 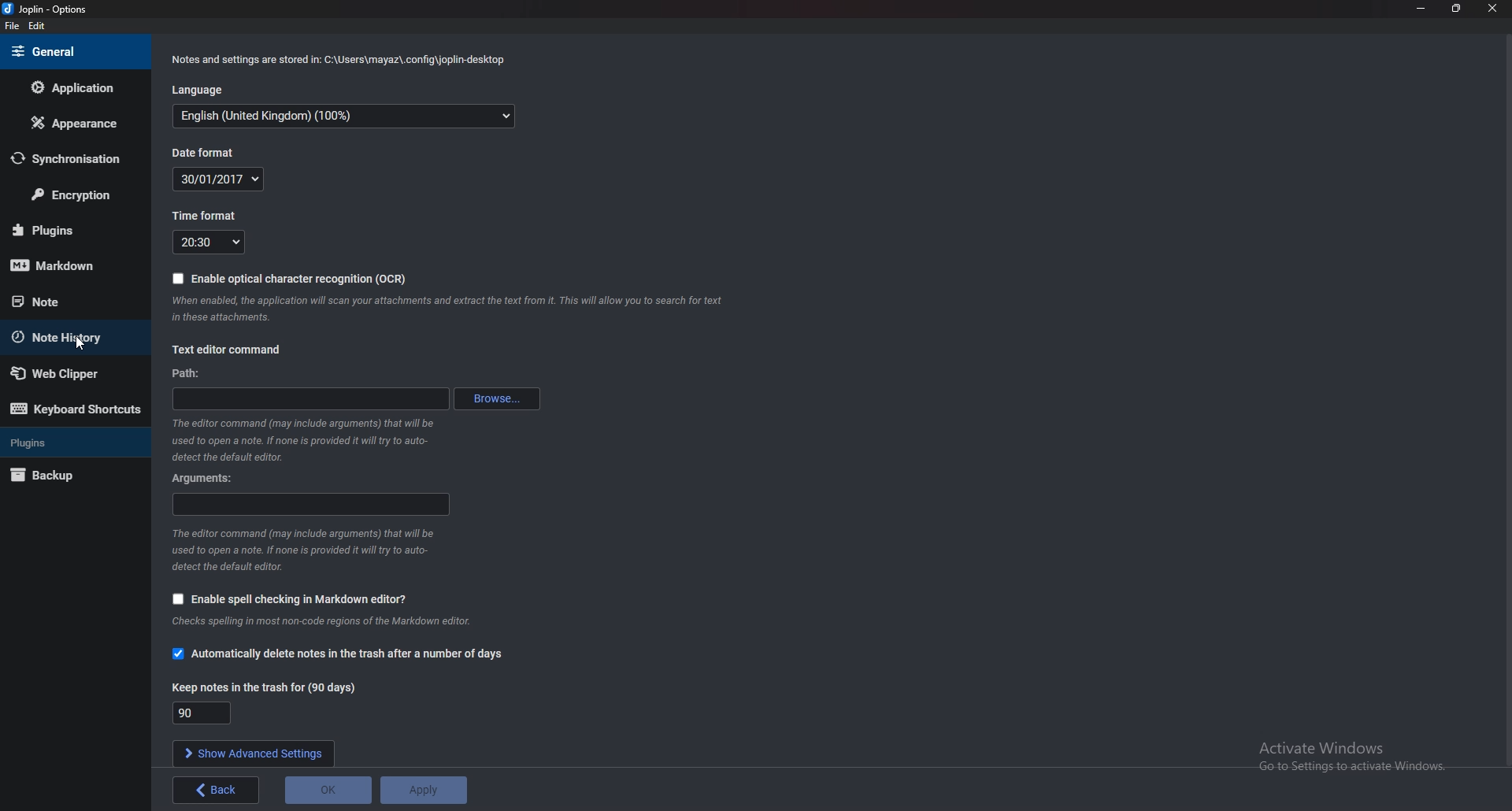 What do you see at coordinates (273, 687) in the screenshot?
I see `Keep notes in the trash for` at bounding box center [273, 687].